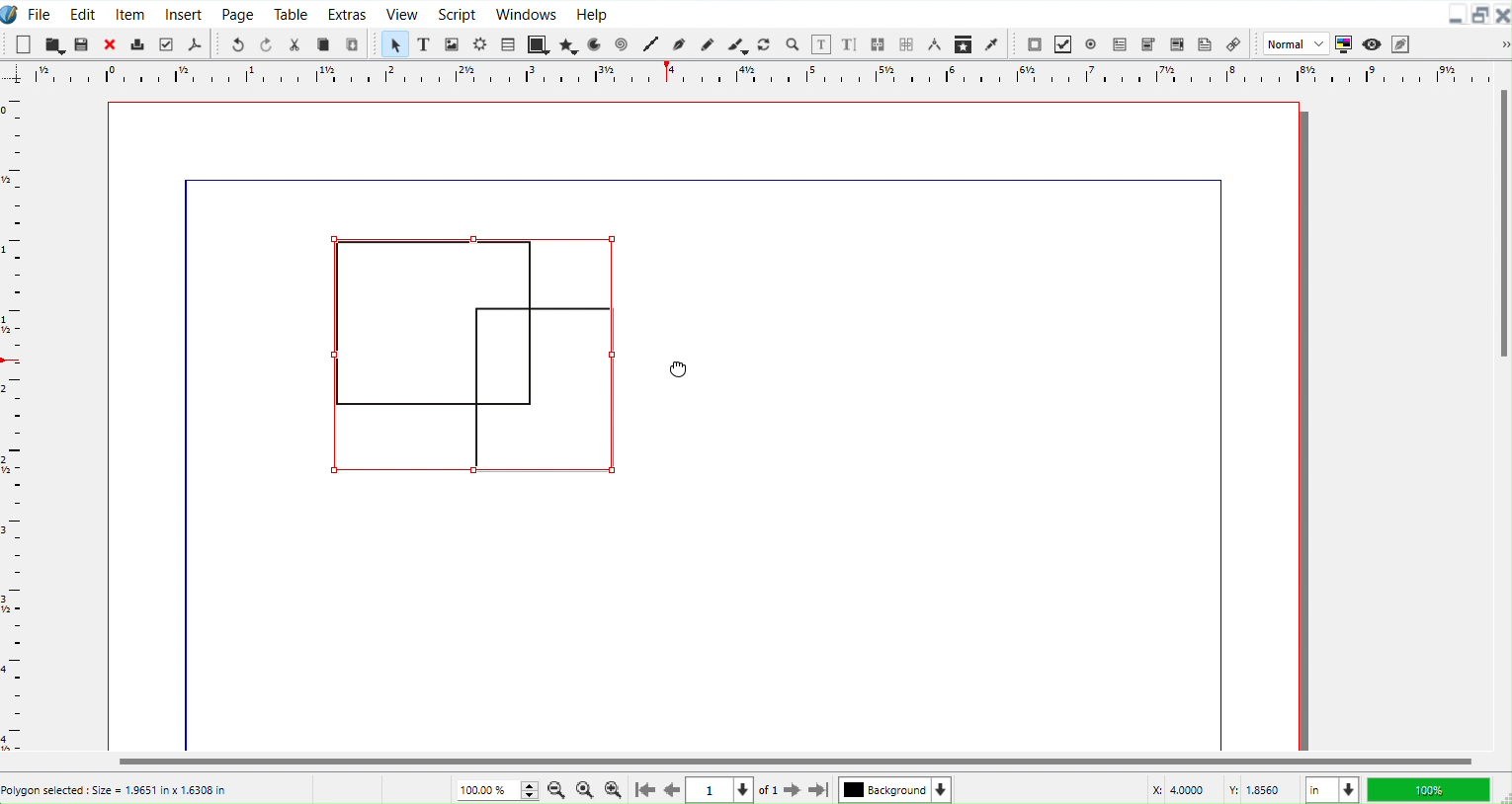 This screenshot has height=804, width=1512. I want to click on Preview mode, so click(1371, 42).